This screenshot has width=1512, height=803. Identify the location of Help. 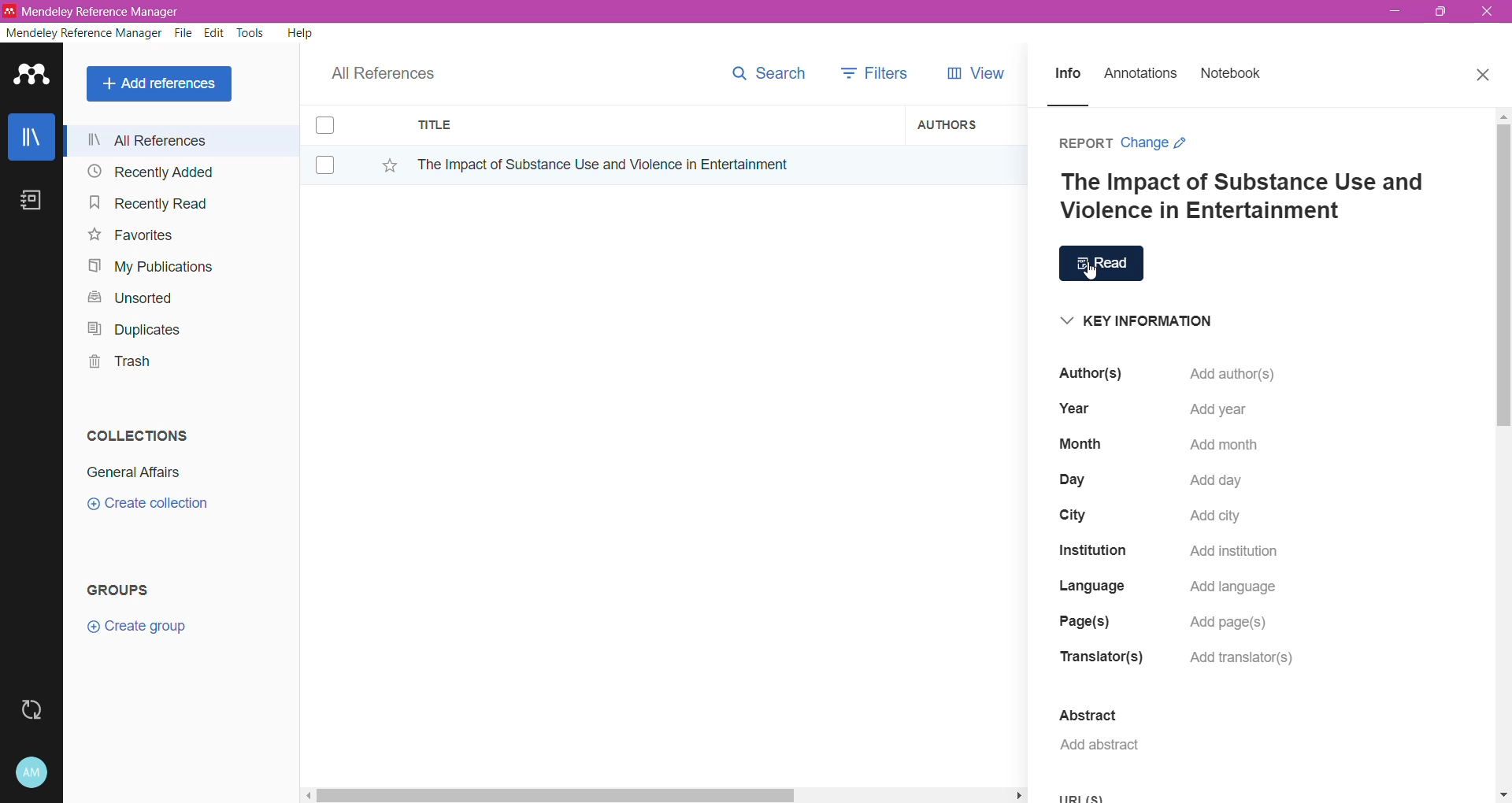
(303, 33).